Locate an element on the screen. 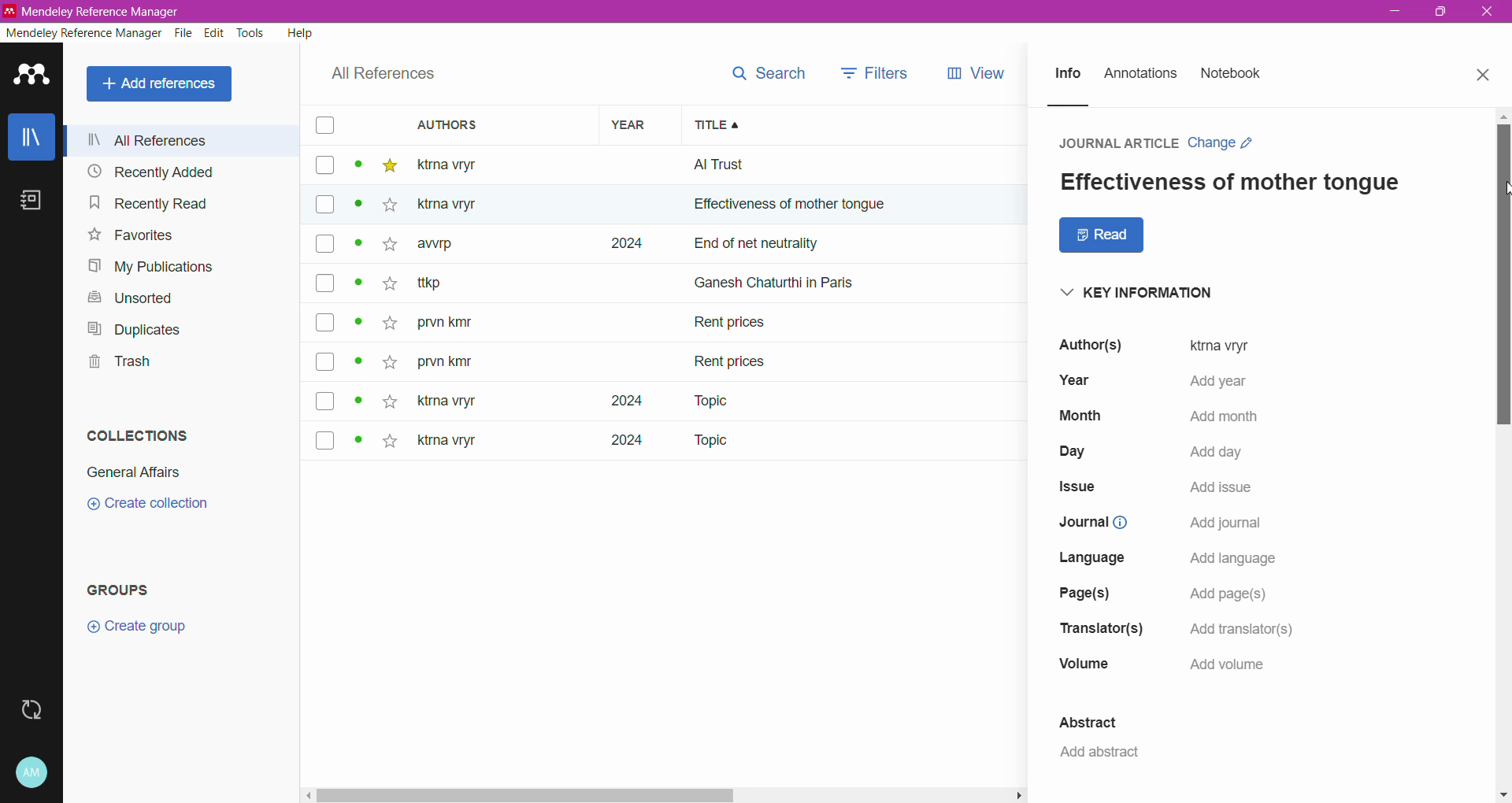 The width and height of the screenshot is (1512, 803). Recently Read is located at coordinates (166, 202).